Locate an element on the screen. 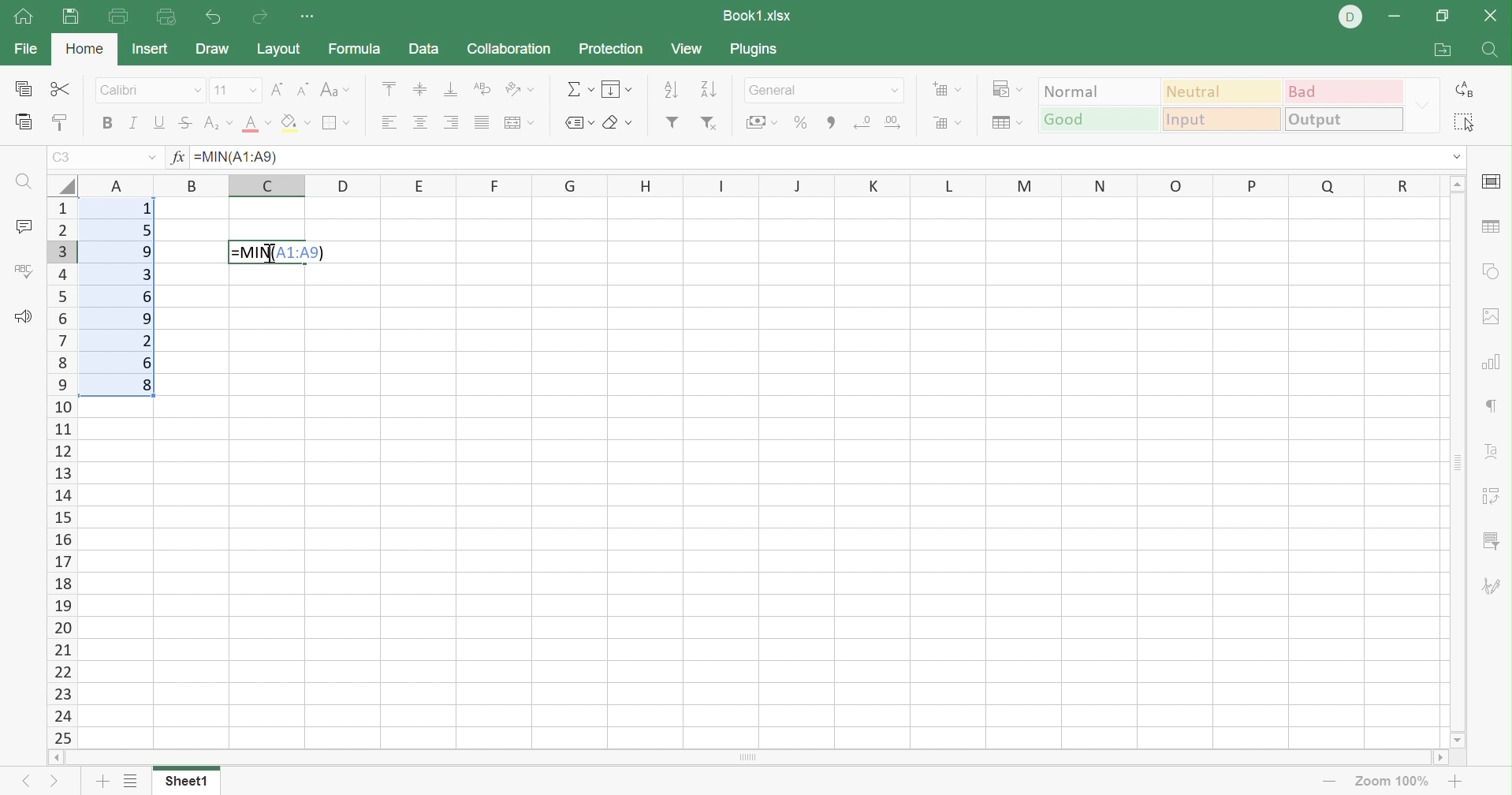 The width and height of the screenshot is (1512, 795). =MIN(A1:A9) is located at coordinates (278, 251).